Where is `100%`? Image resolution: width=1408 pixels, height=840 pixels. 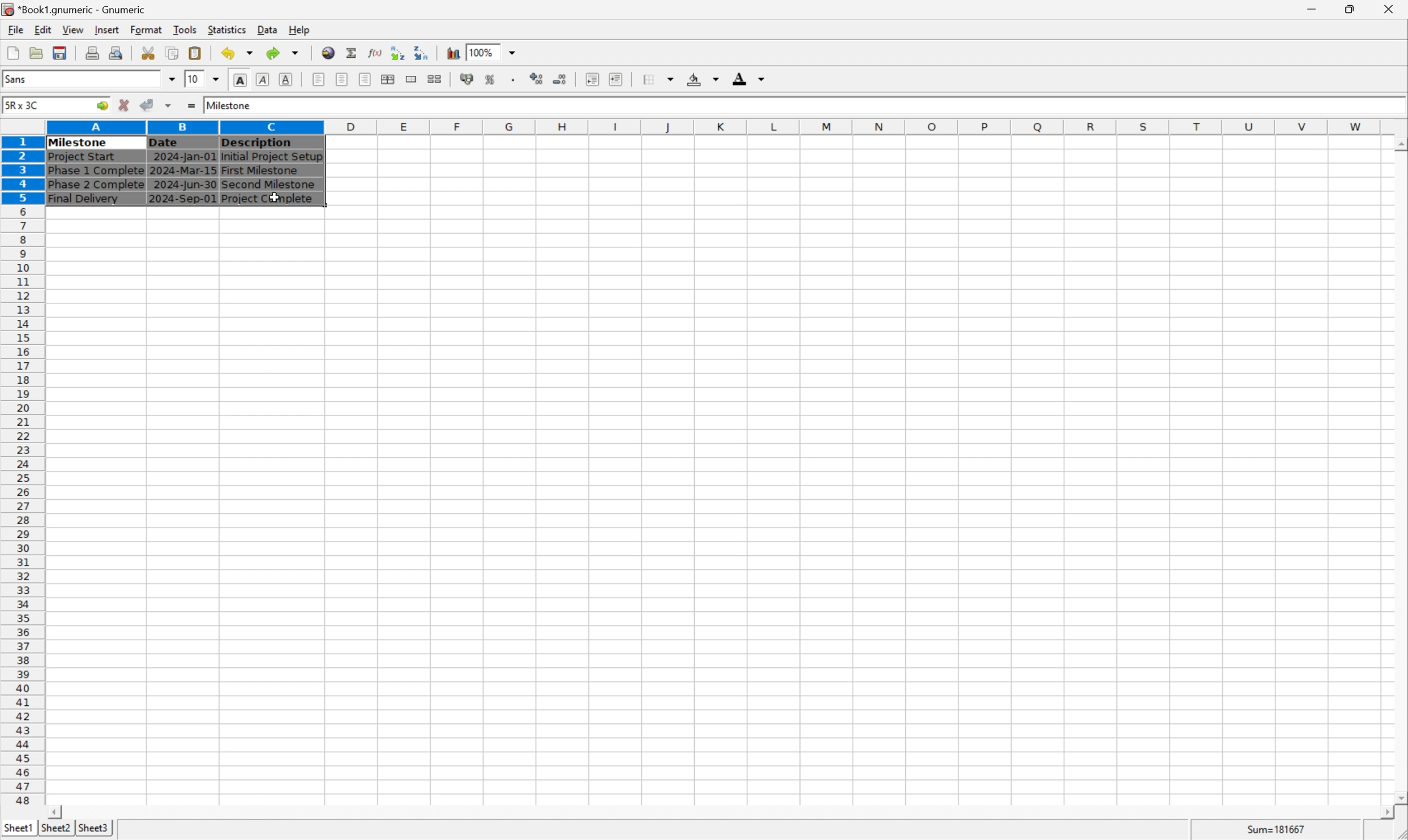
100% is located at coordinates (483, 50).